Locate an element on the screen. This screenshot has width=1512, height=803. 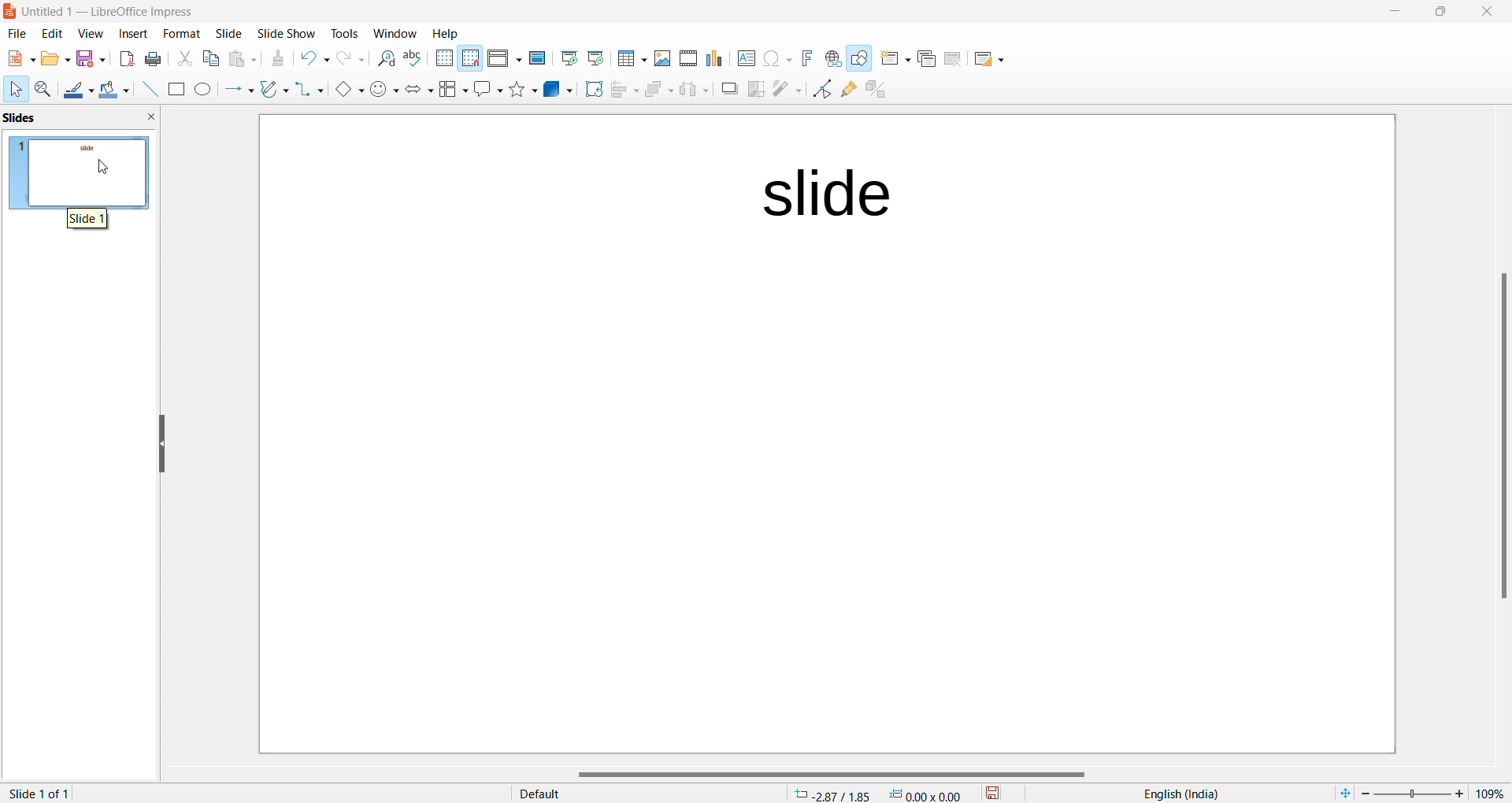
connectors is located at coordinates (306, 90).